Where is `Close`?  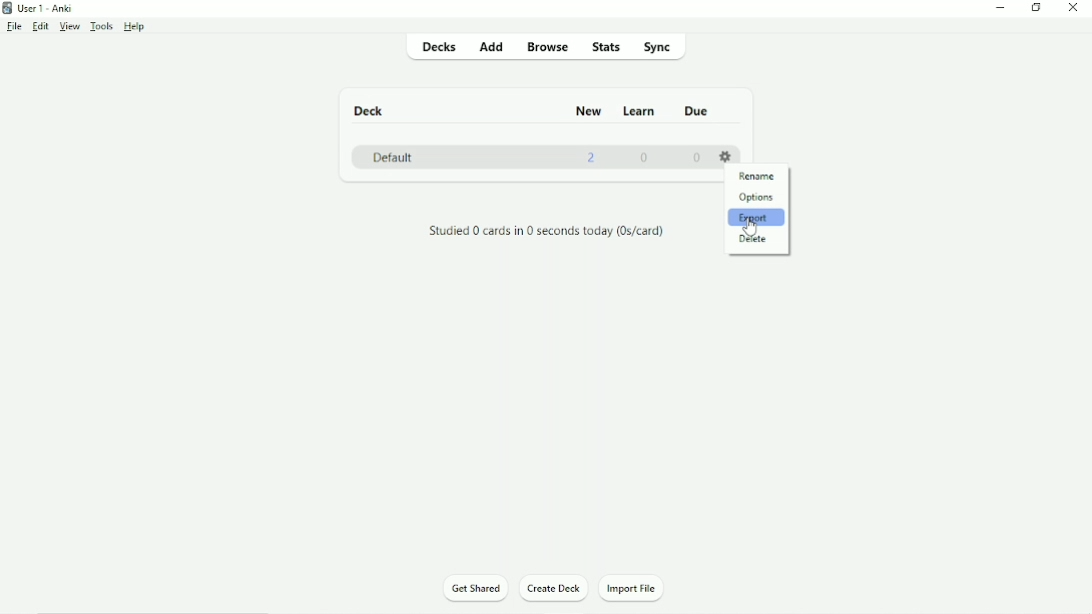
Close is located at coordinates (1072, 9).